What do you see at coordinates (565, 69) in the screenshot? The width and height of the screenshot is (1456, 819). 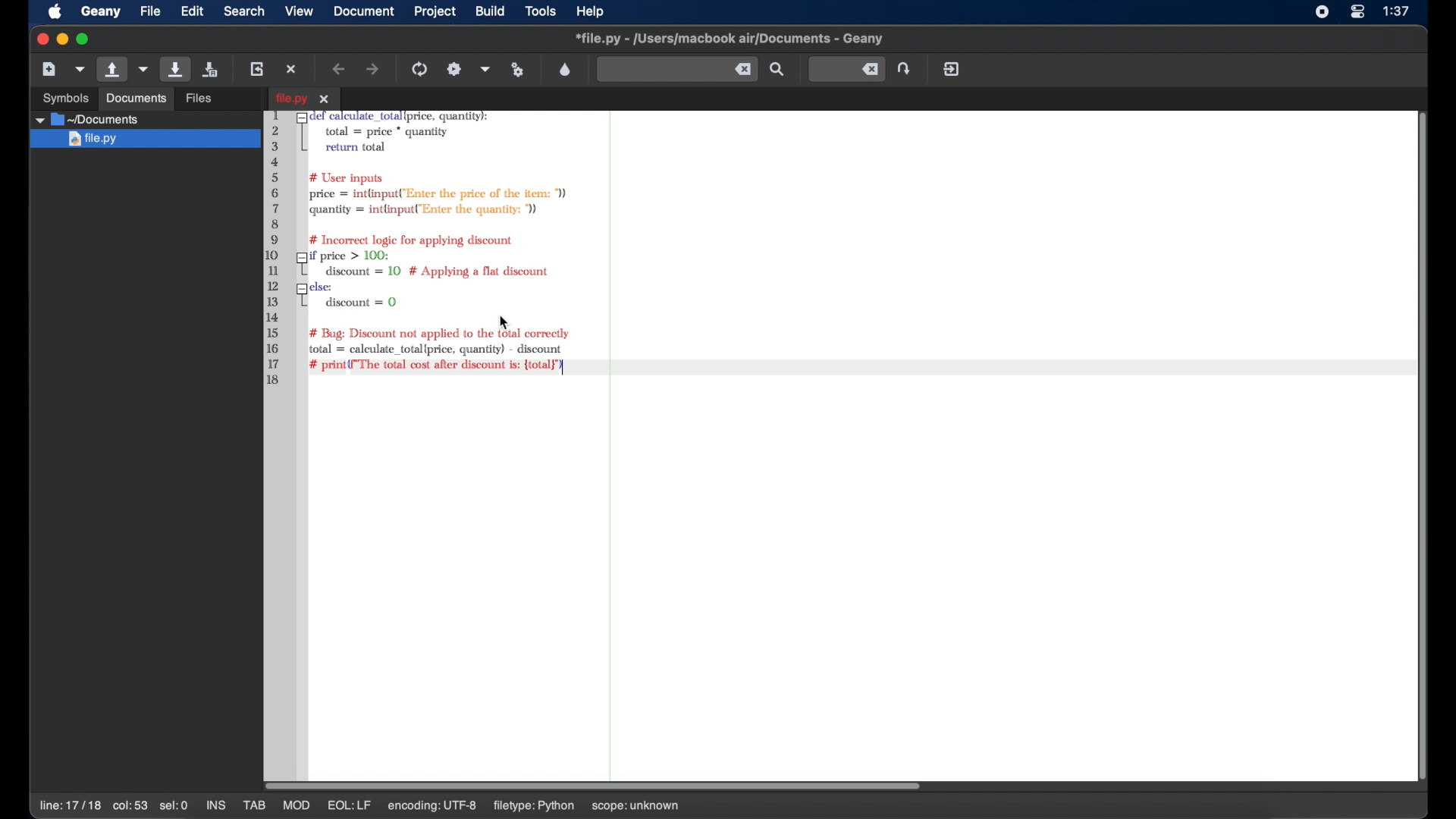 I see `color chooser dialog` at bounding box center [565, 69].